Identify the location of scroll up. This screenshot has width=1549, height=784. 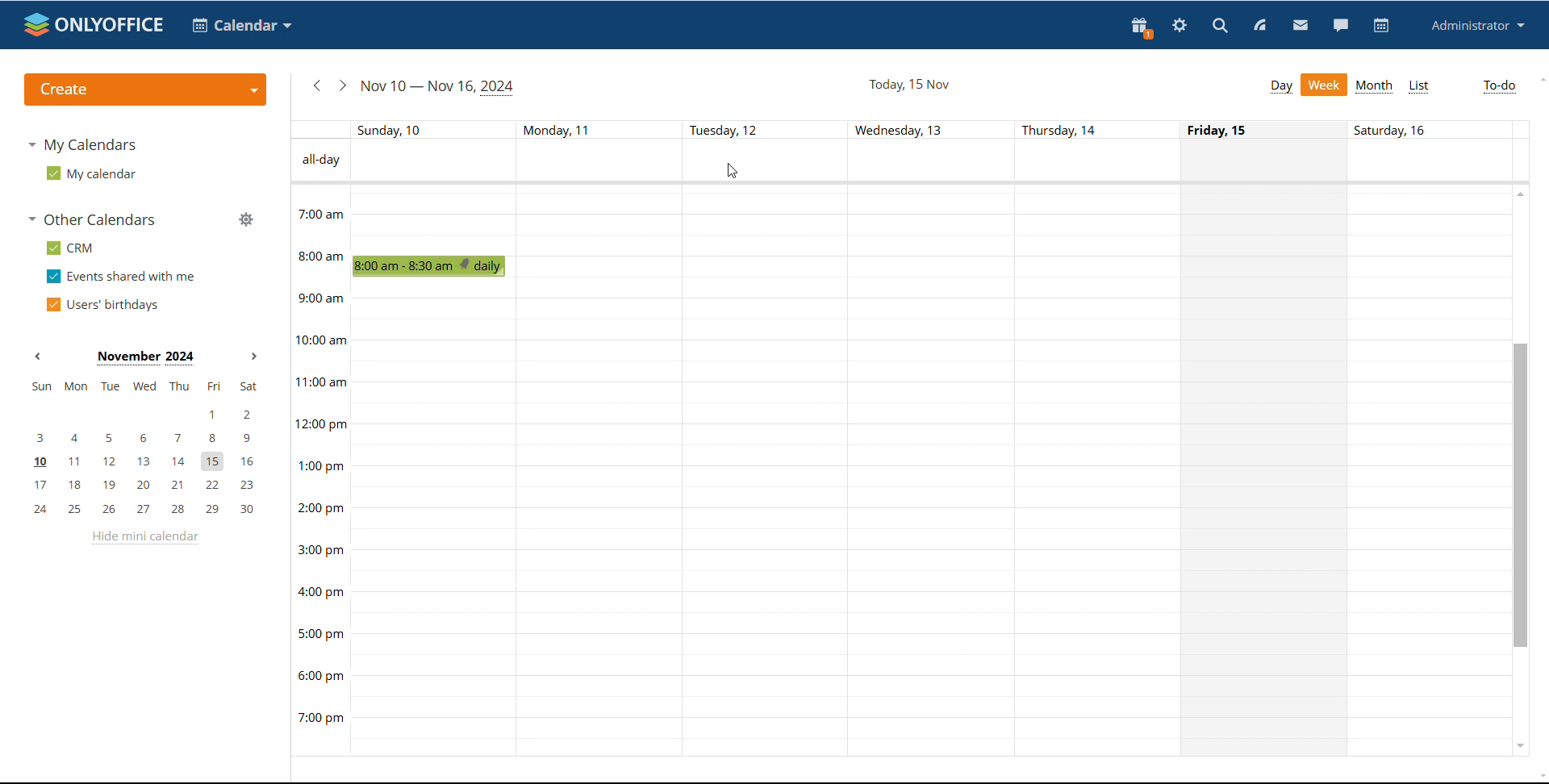
(1519, 194).